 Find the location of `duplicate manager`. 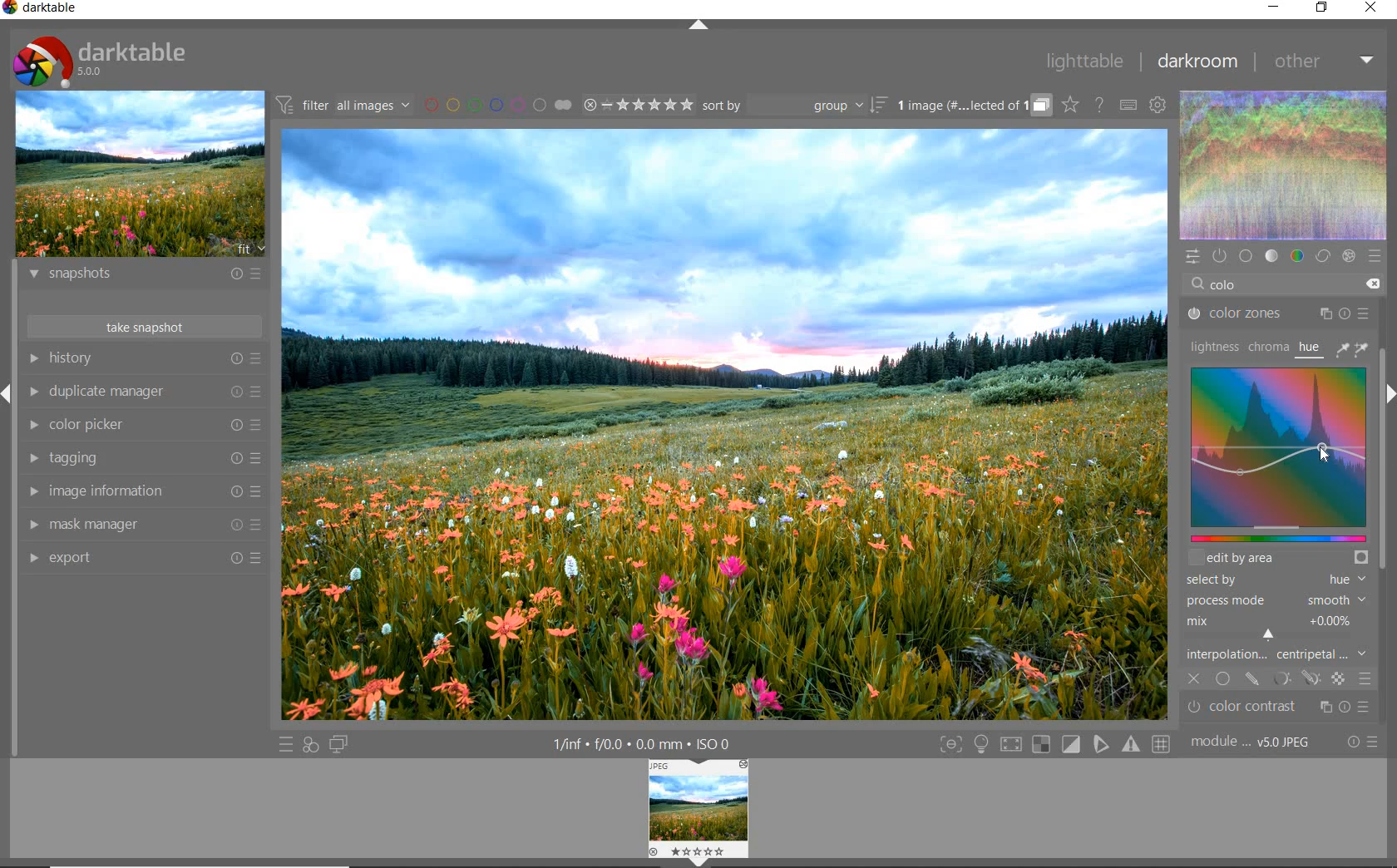

duplicate manager is located at coordinates (147, 393).